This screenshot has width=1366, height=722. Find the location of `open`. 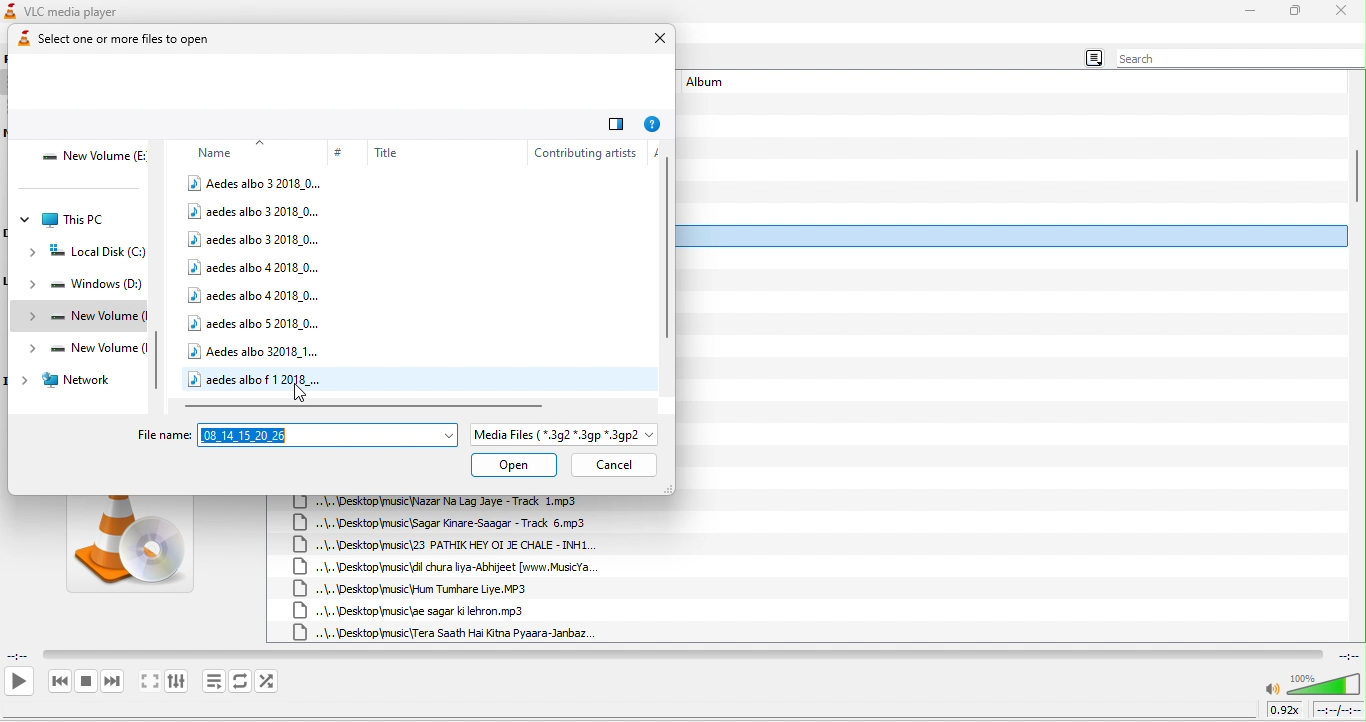

open is located at coordinates (514, 466).